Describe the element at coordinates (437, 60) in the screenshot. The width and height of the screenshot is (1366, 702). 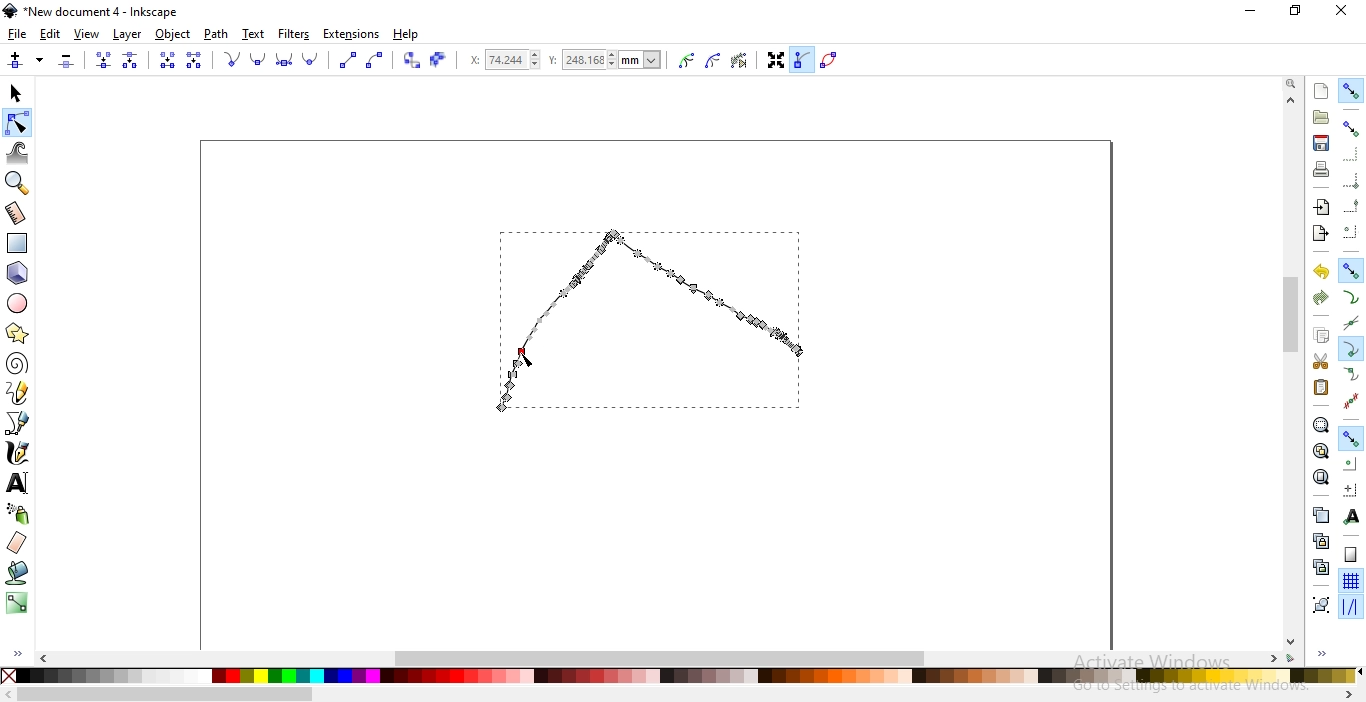
I see `convert selected objects strokes to paths` at that location.